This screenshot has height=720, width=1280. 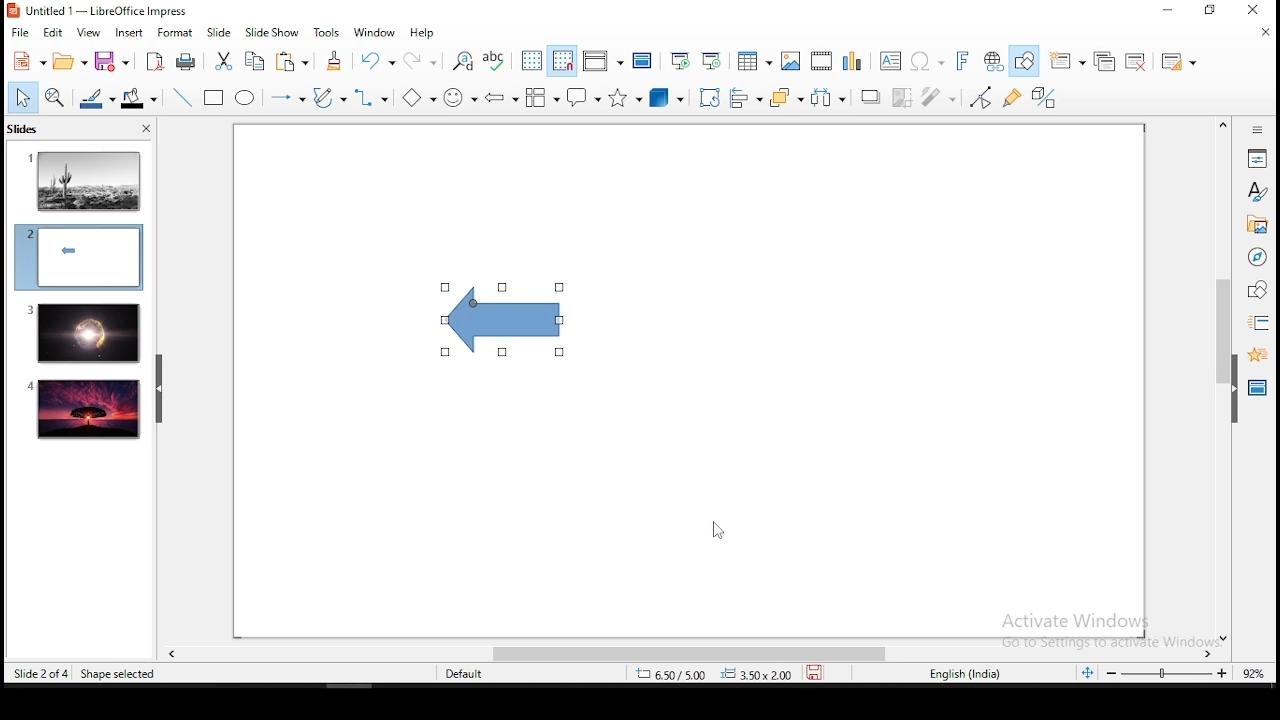 I want to click on scroll bar, so click(x=681, y=653).